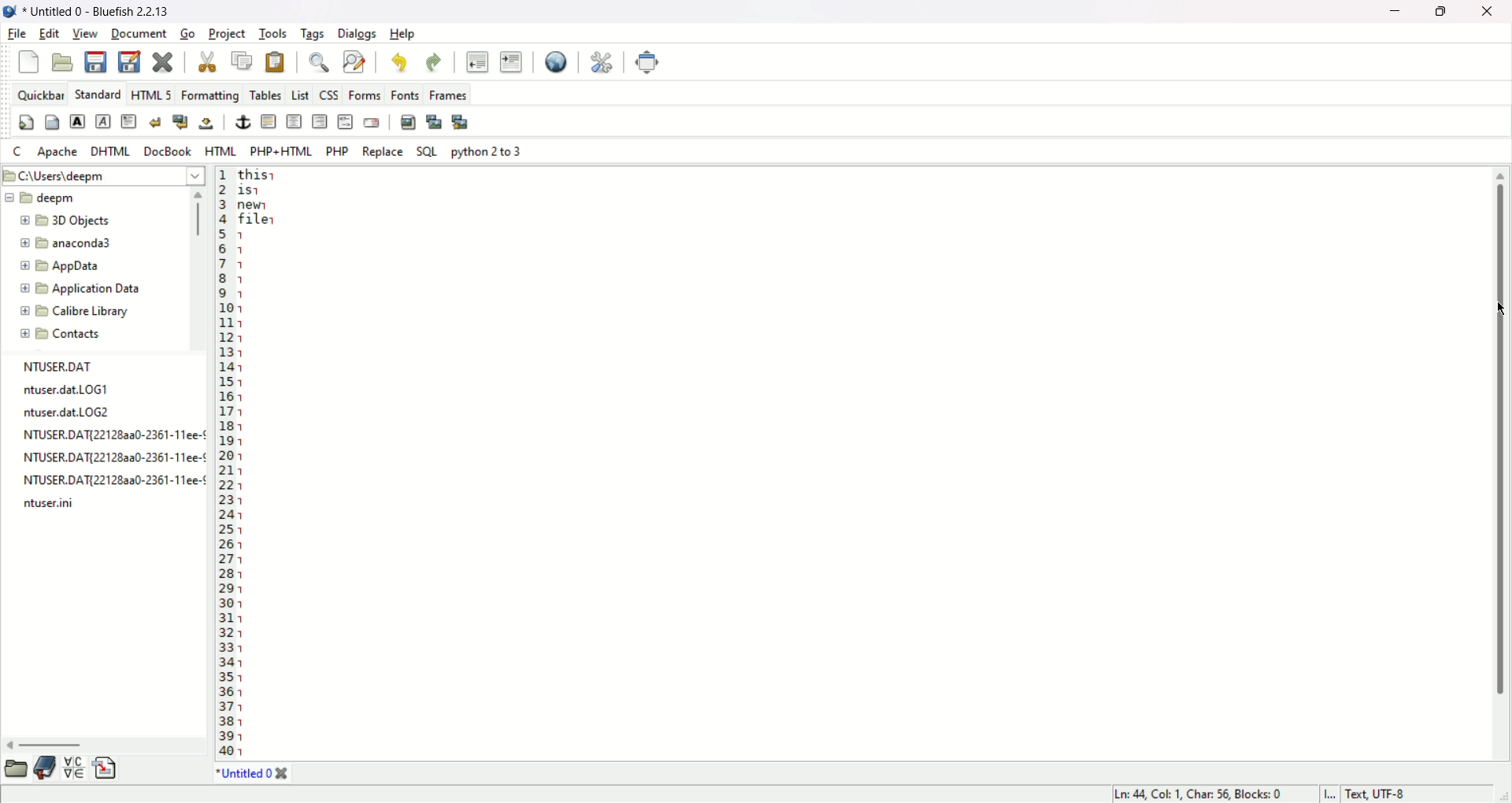 The width and height of the screenshot is (1512, 803). I want to click on redo, so click(435, 65).